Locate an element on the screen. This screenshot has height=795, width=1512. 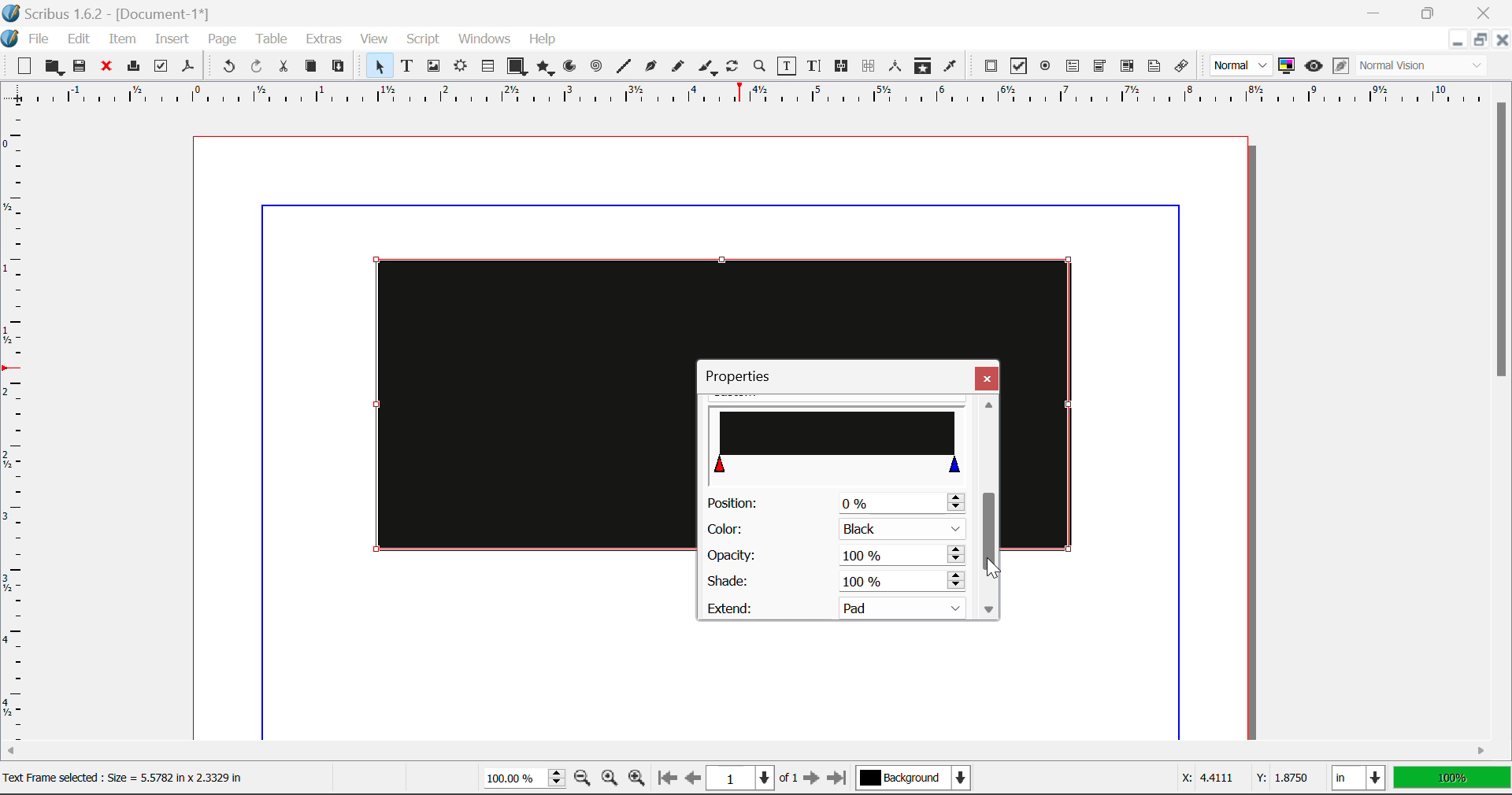
Arcs is located at coordinates (572, 70).